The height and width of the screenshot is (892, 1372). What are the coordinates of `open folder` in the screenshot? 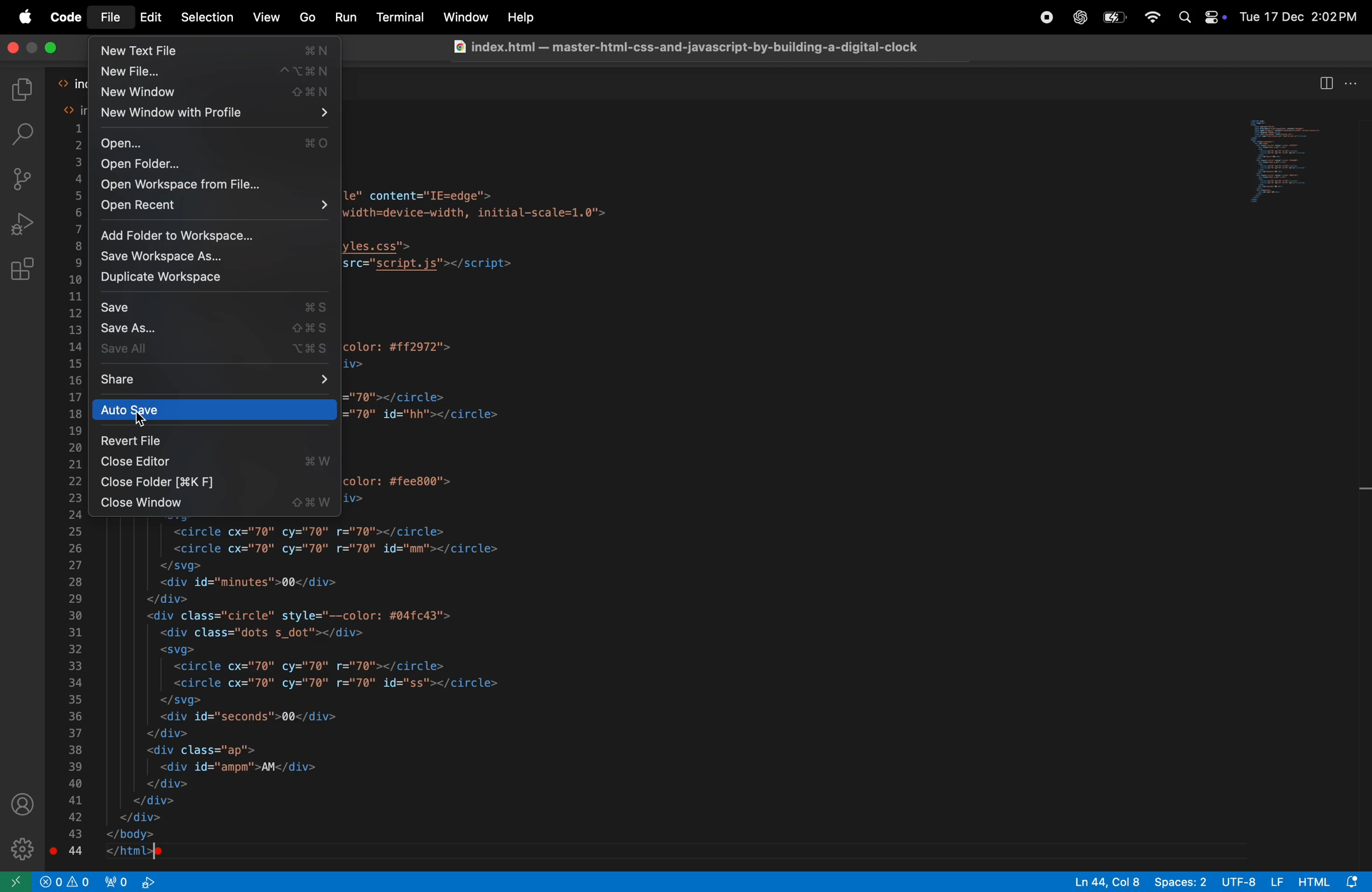 It's located at (214, 164).